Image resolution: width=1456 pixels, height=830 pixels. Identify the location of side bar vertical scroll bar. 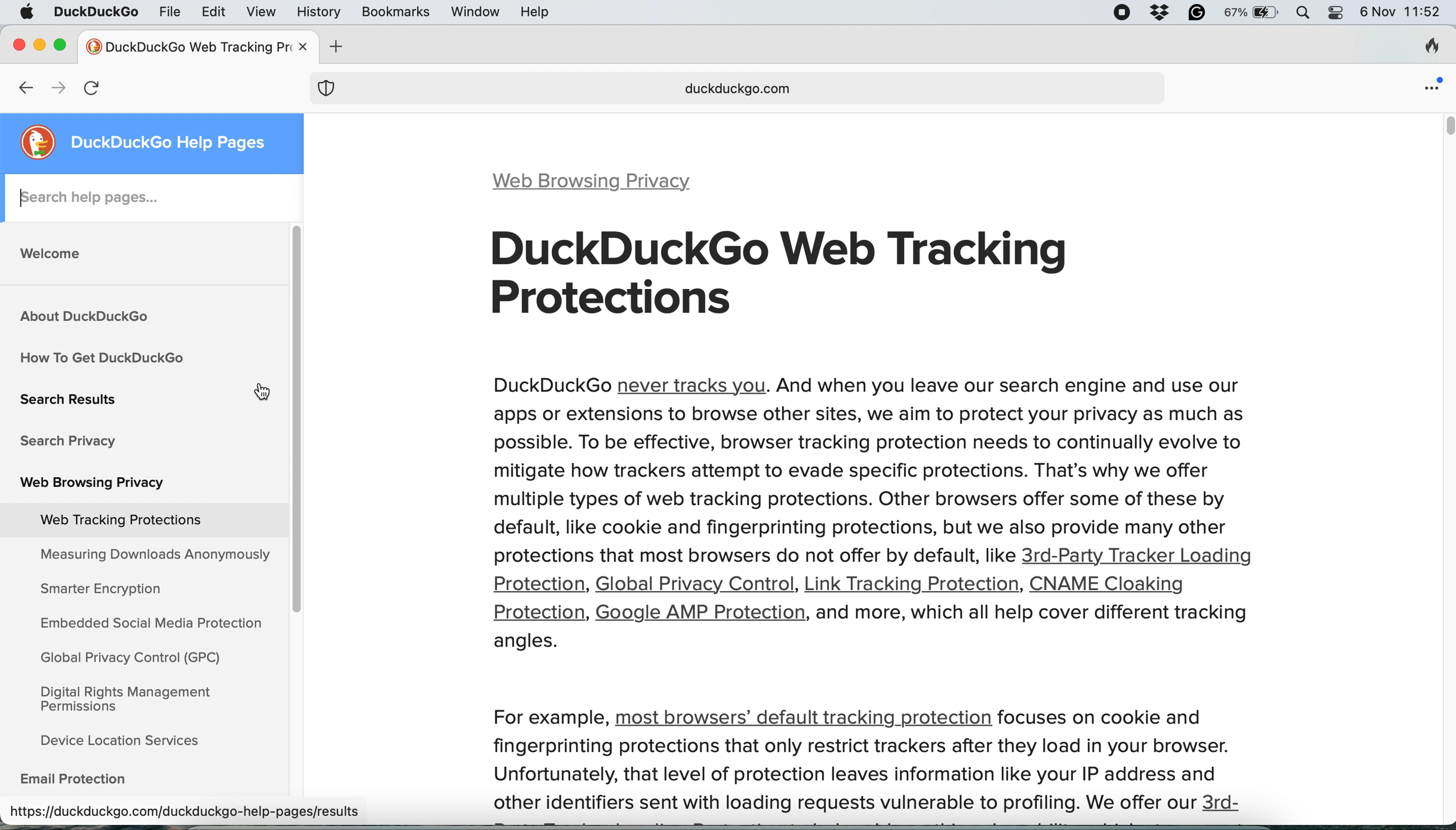
(297, 418).